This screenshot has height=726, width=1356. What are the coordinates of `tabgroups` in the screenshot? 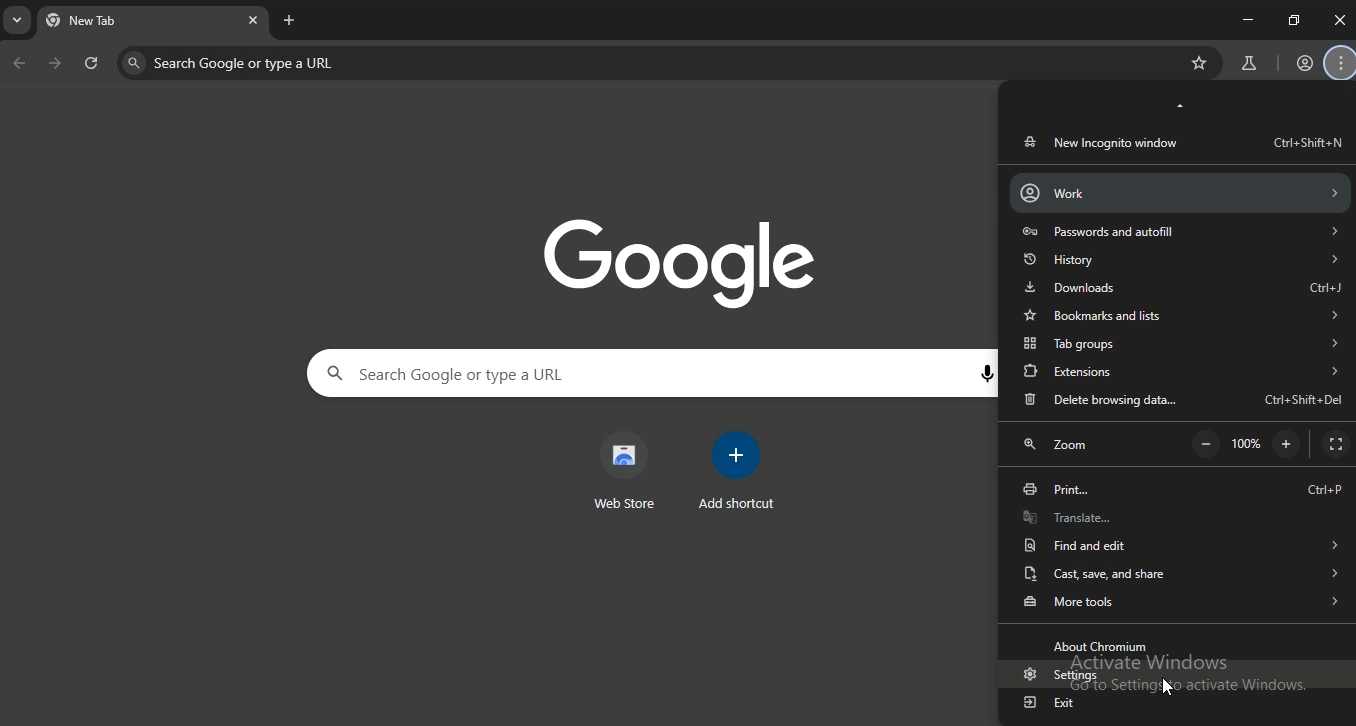 It's located at (1180, 345).